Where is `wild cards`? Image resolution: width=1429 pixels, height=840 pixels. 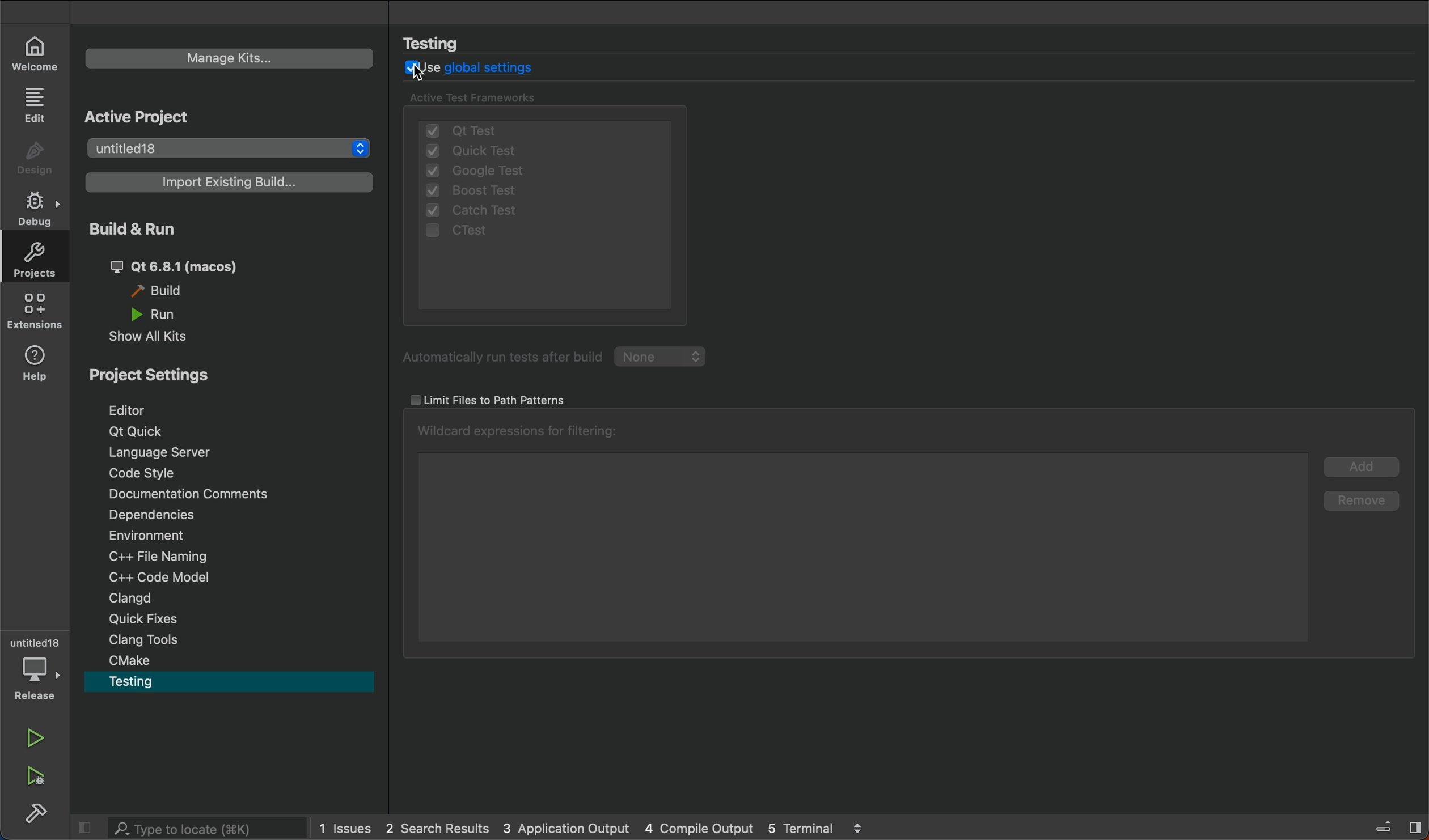
wild cards is located at coordinates (522, 433).